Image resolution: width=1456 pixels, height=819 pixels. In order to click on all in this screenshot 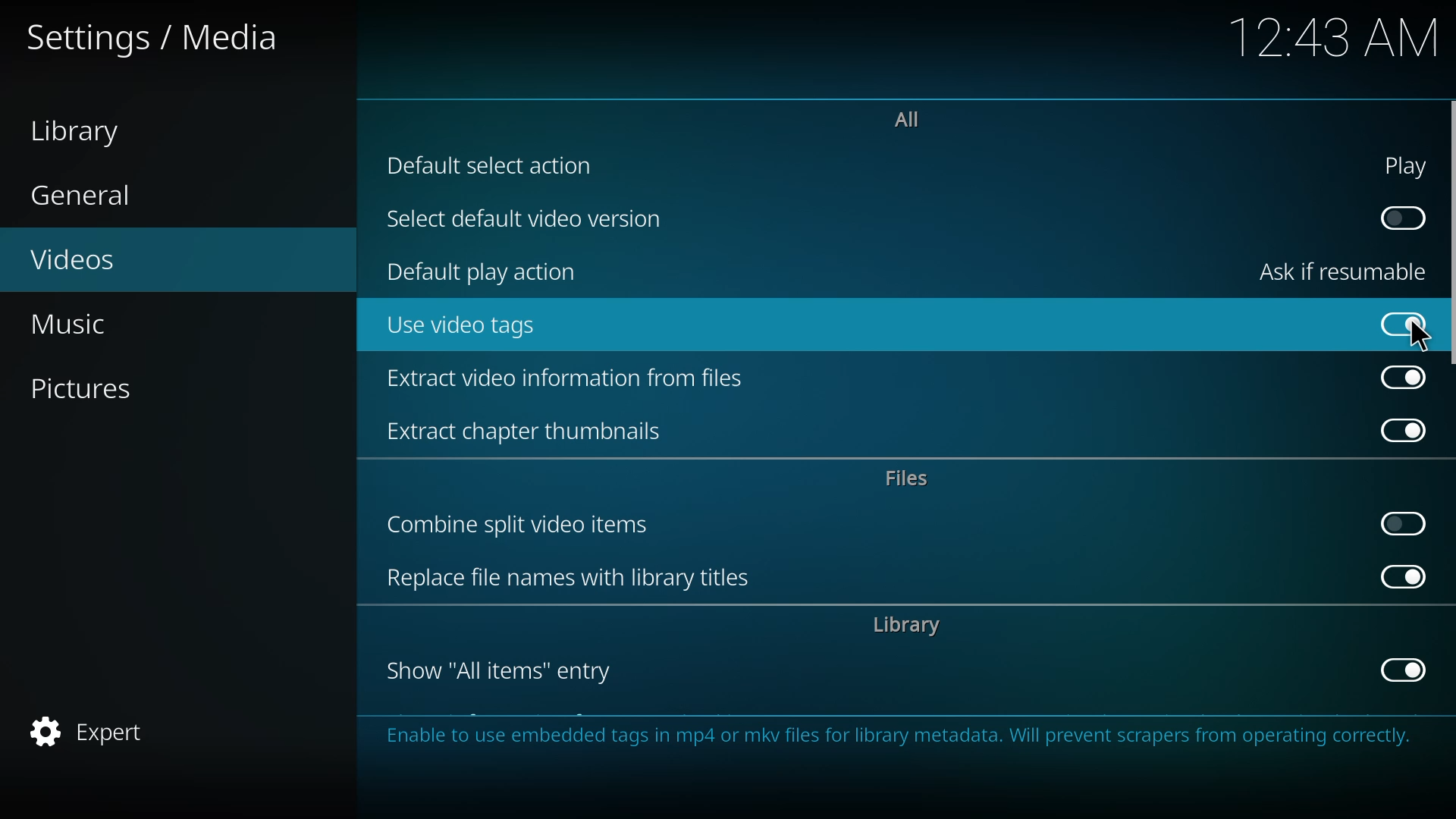, I will do `click(910, 119)`.